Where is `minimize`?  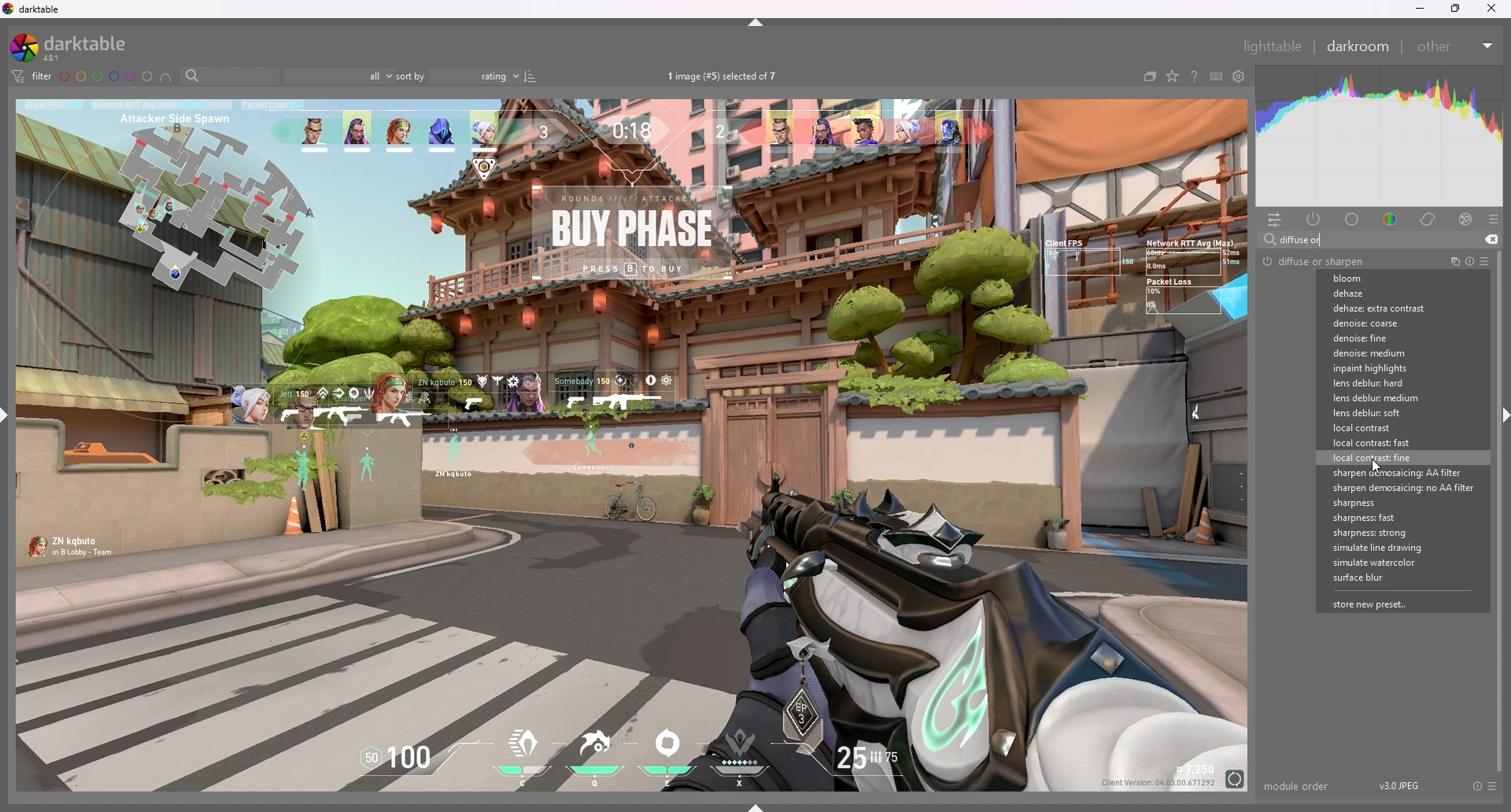
minimize is located at coordinates (1422, 9).